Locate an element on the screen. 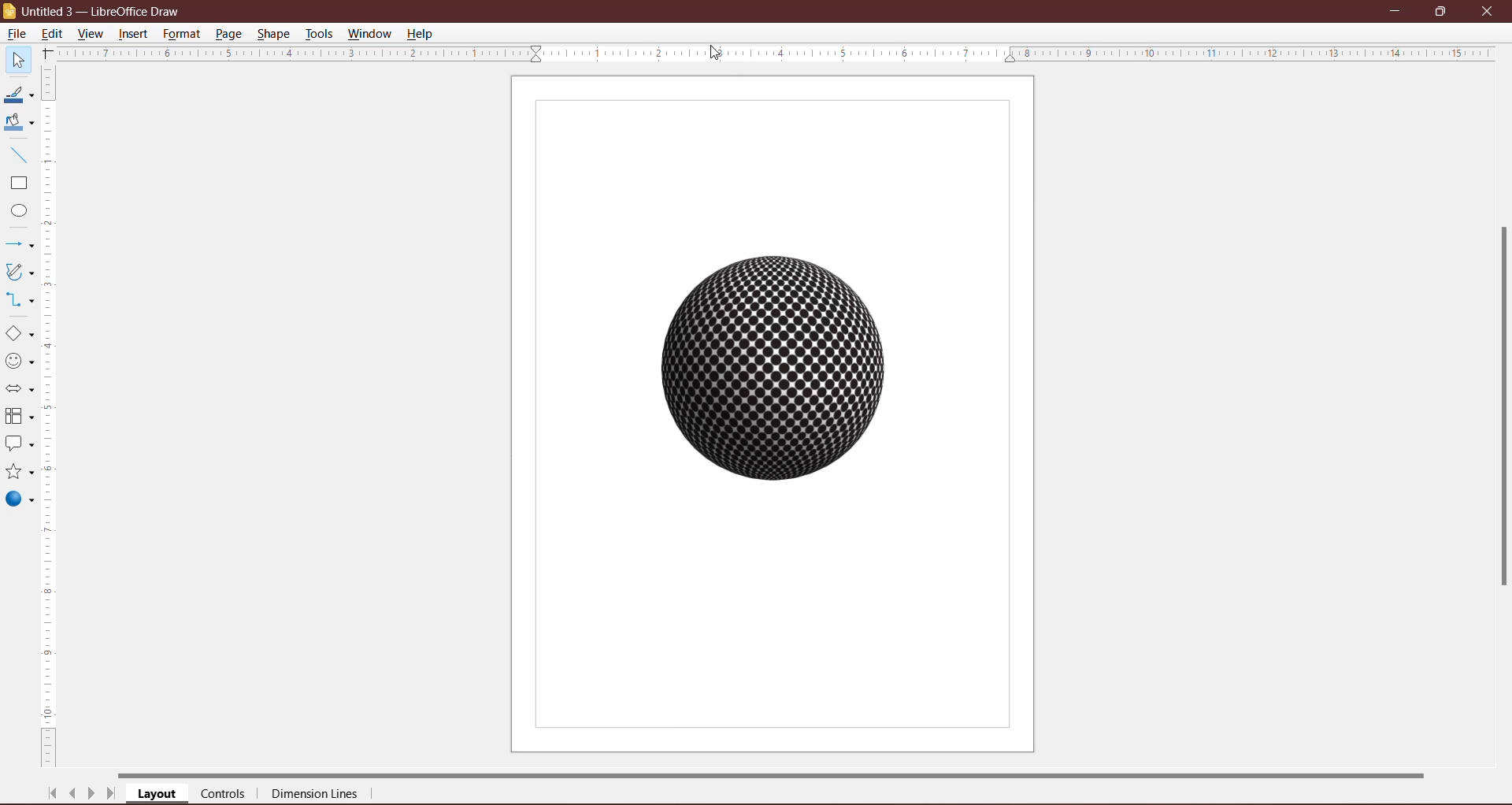 The width and height of the screenshot is (1512, 805). Tools is located at coordinates (319, 34).